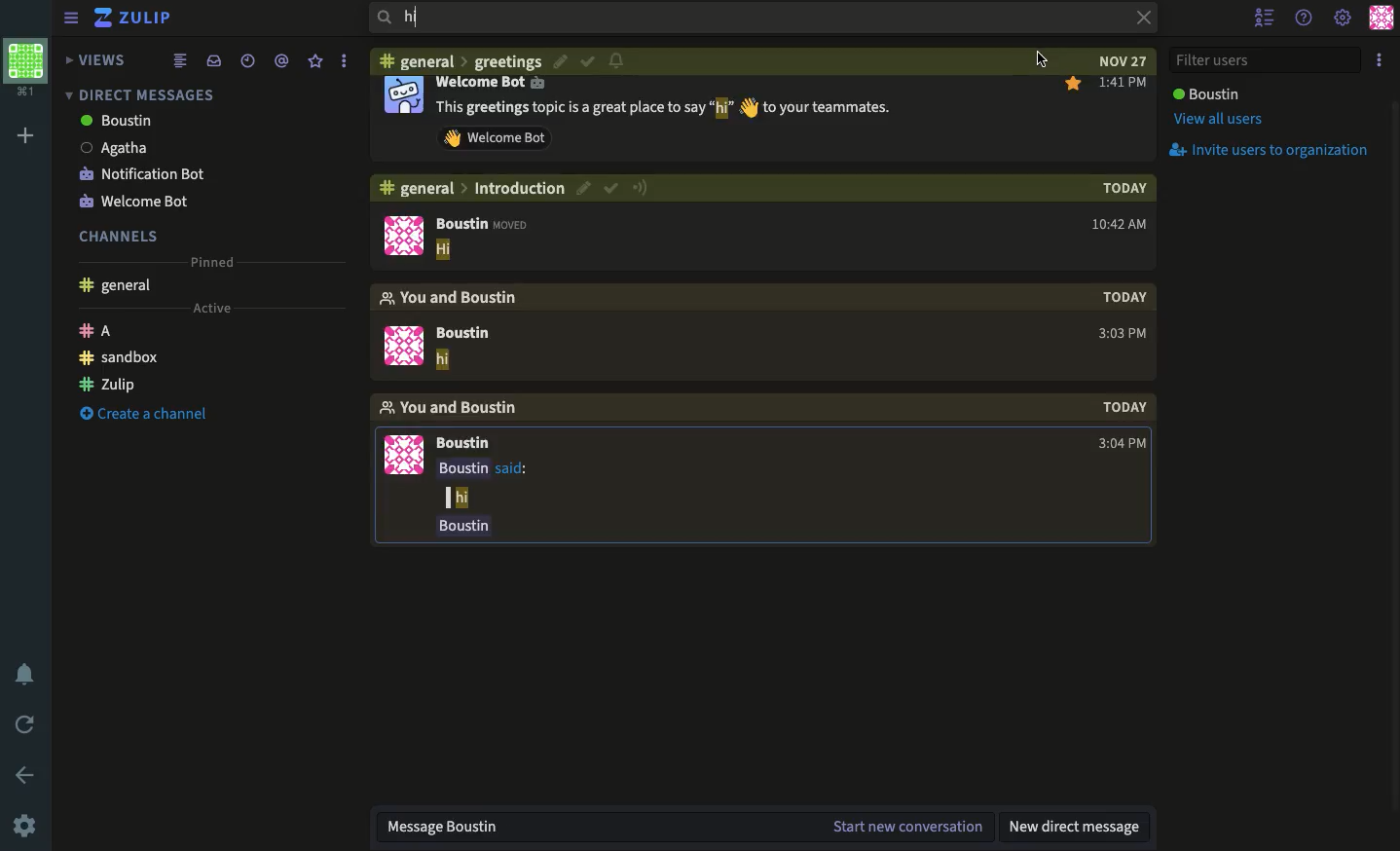 The width and height of the screenshot is (1400, 851). Describe the element at coordinates (452, 408) in the screenshot. I see `you and boustin` at that location.